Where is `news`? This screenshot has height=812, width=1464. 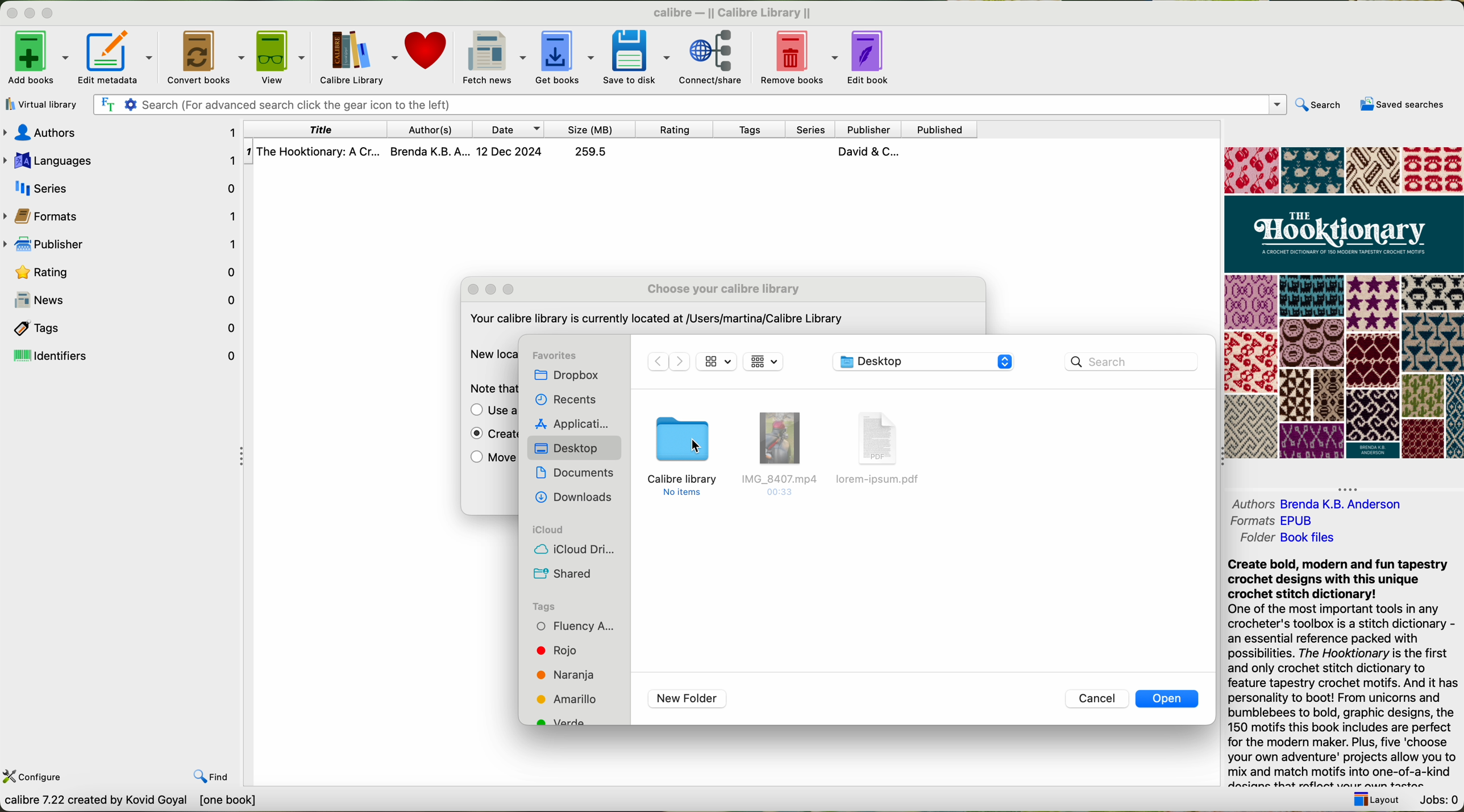 news is located at coordinates (132, 300).